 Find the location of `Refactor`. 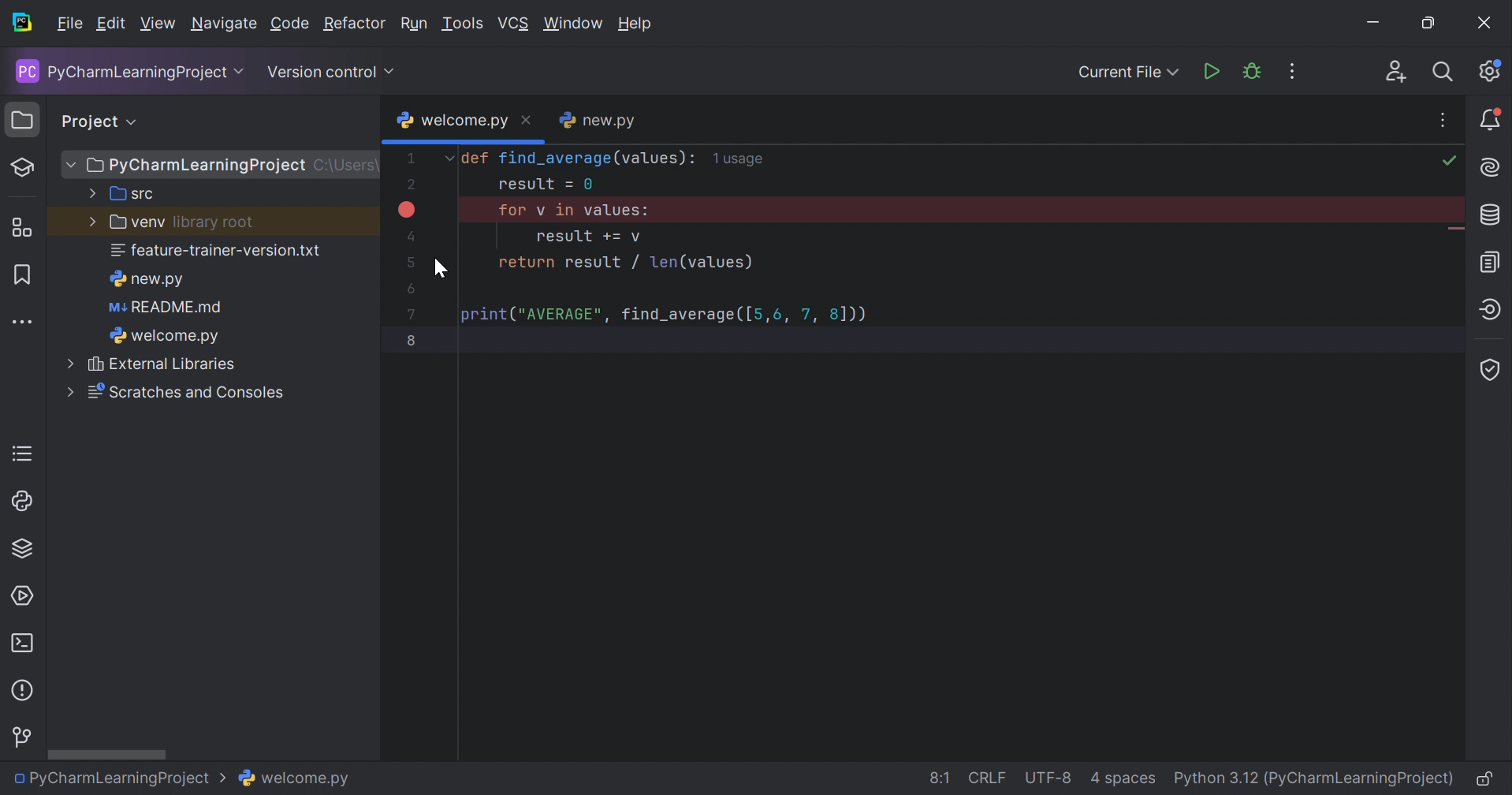

Refactor is located at coordinates (356, 24).